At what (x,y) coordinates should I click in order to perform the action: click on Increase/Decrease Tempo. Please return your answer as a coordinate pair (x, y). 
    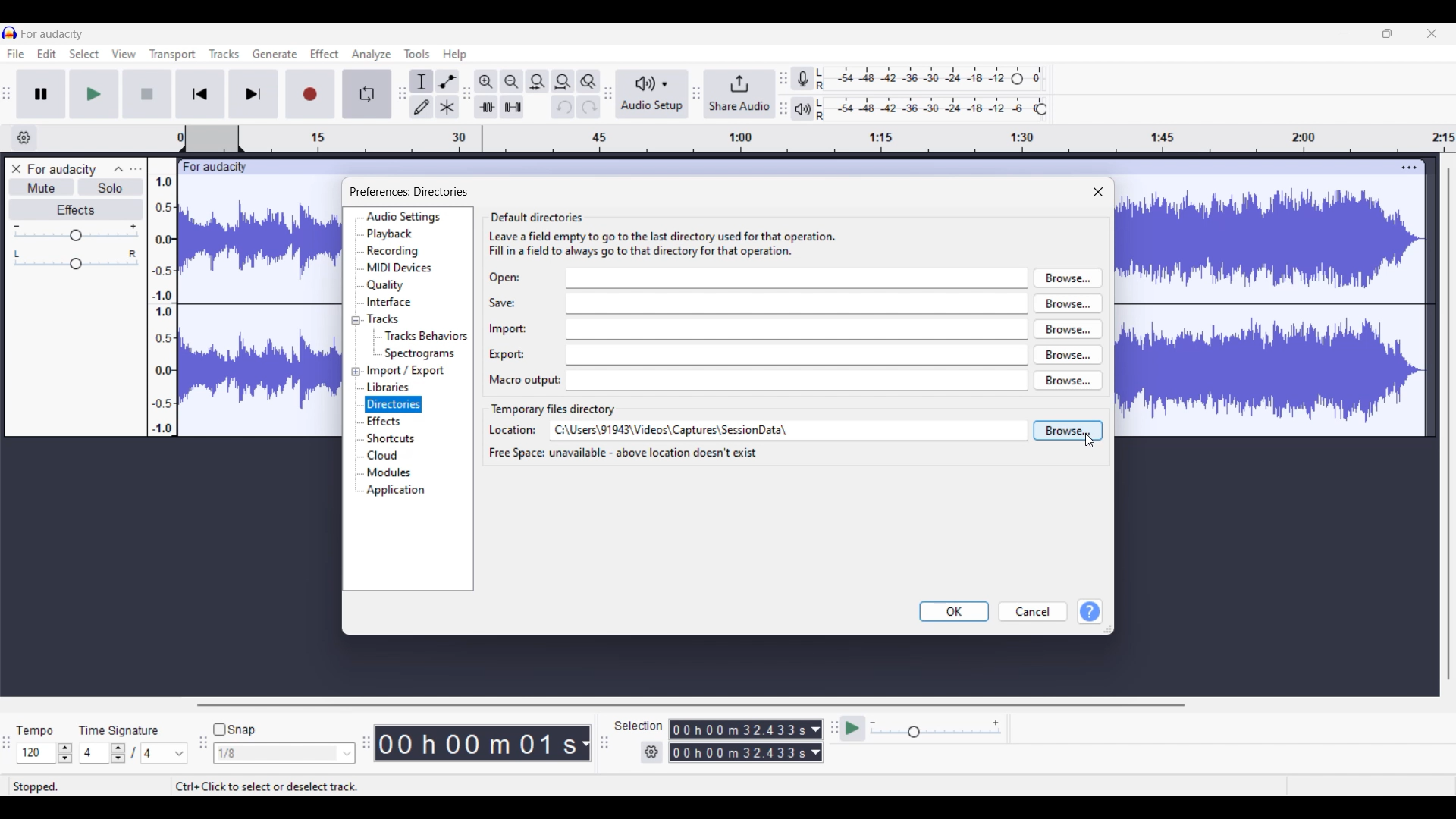
    Looking at the image, I should click on (65, 753).